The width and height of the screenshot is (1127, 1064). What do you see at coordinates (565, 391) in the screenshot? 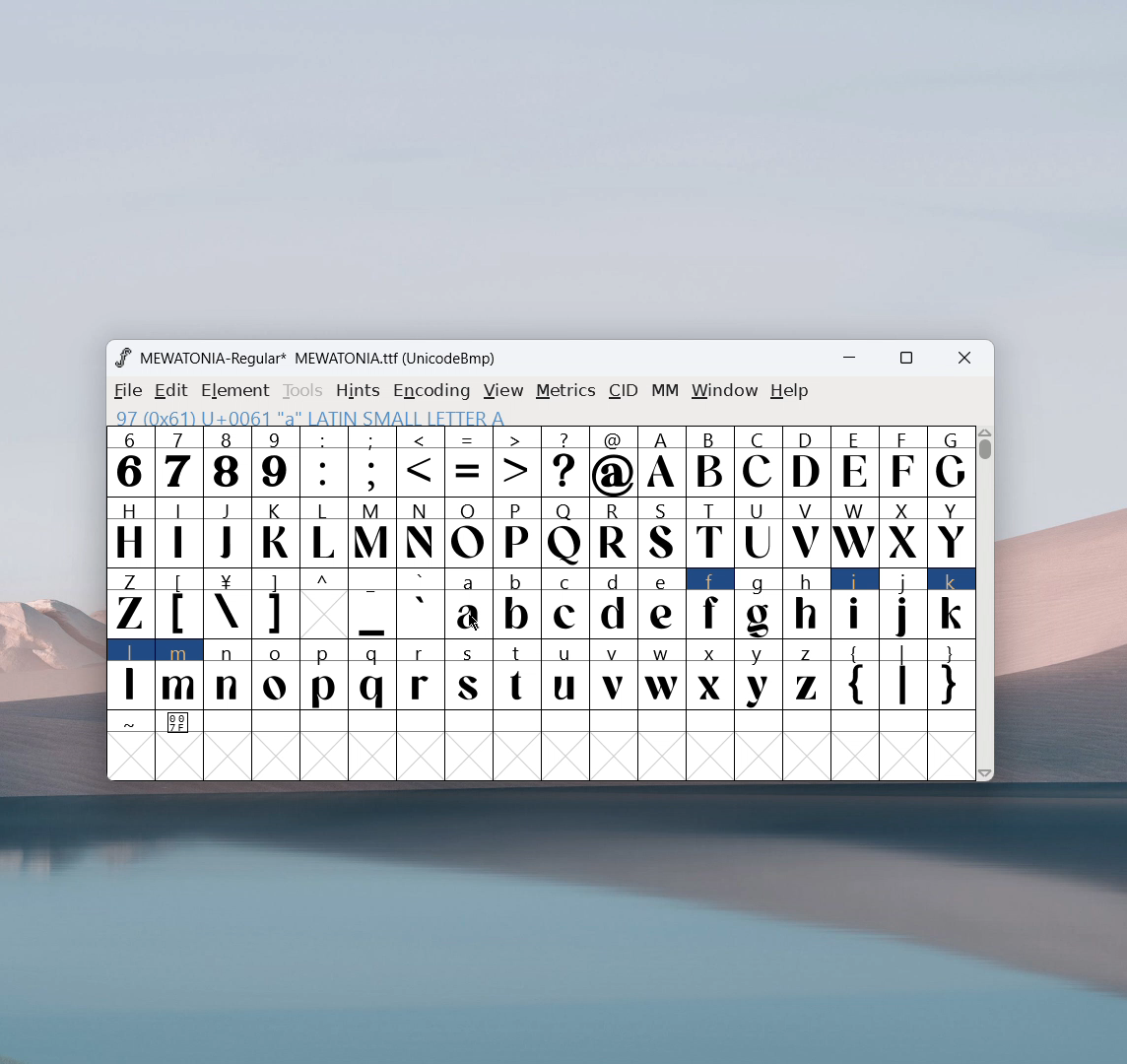
I see `metrics` at bounding box center [565, 391].